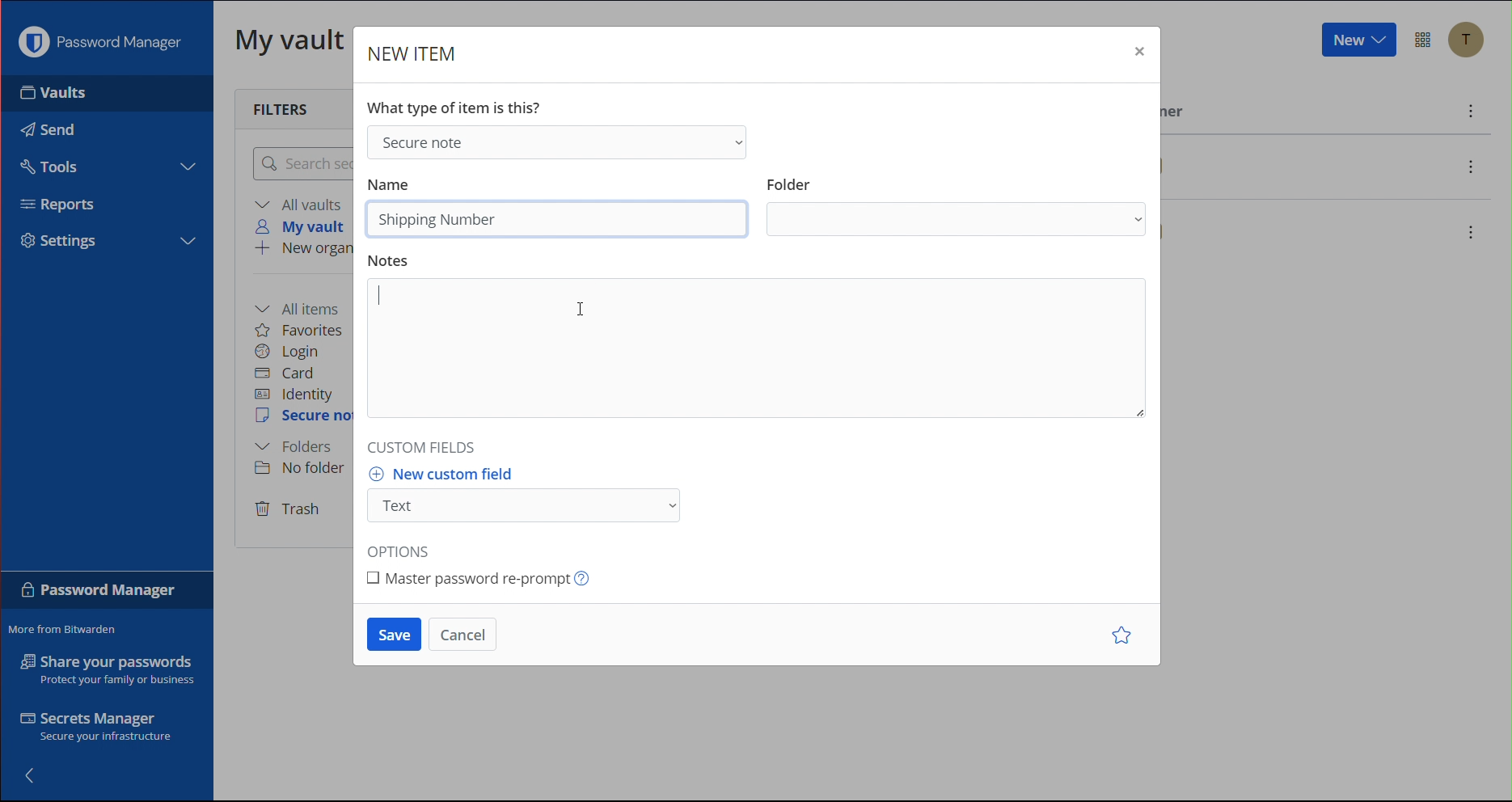 This screenshot has height=802, width=1512. What do you see at coordinates (492, 583) in the screenshot?
I see `Master Password Re-Prompt` at bounding box center [492, 583].